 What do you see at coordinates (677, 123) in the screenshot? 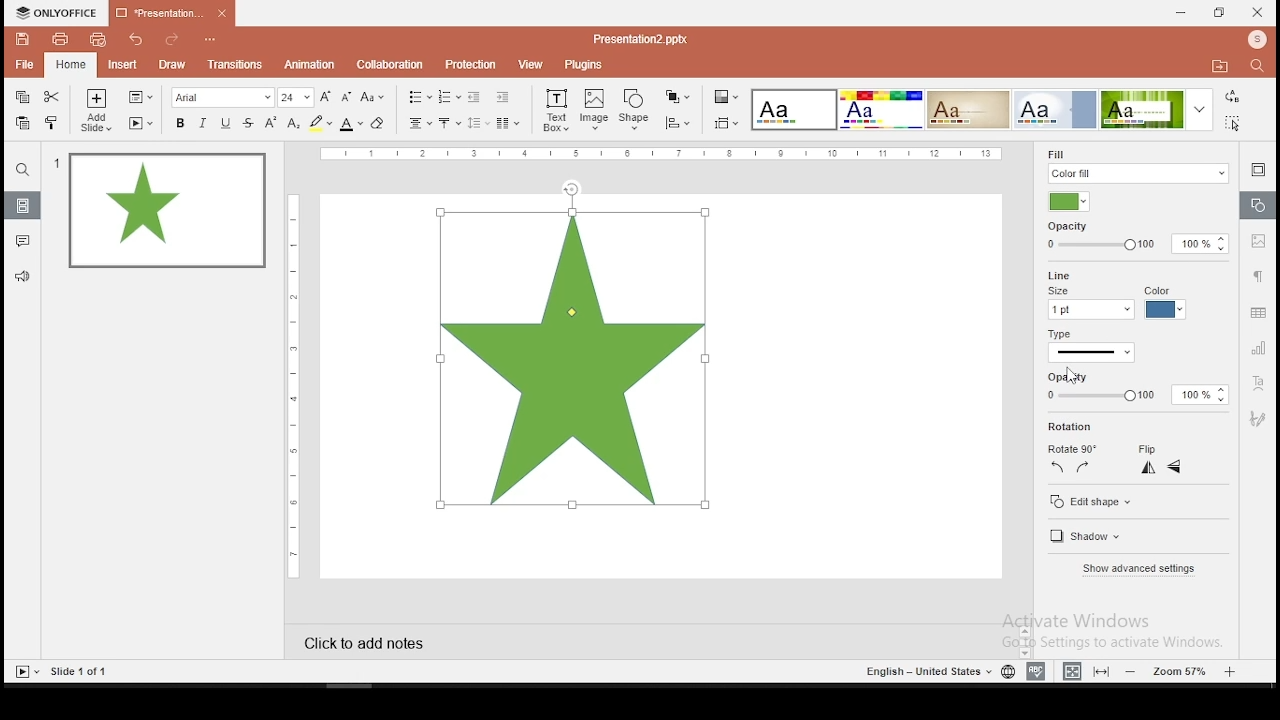
I see `align shapes` at bounding box center [677, 123].